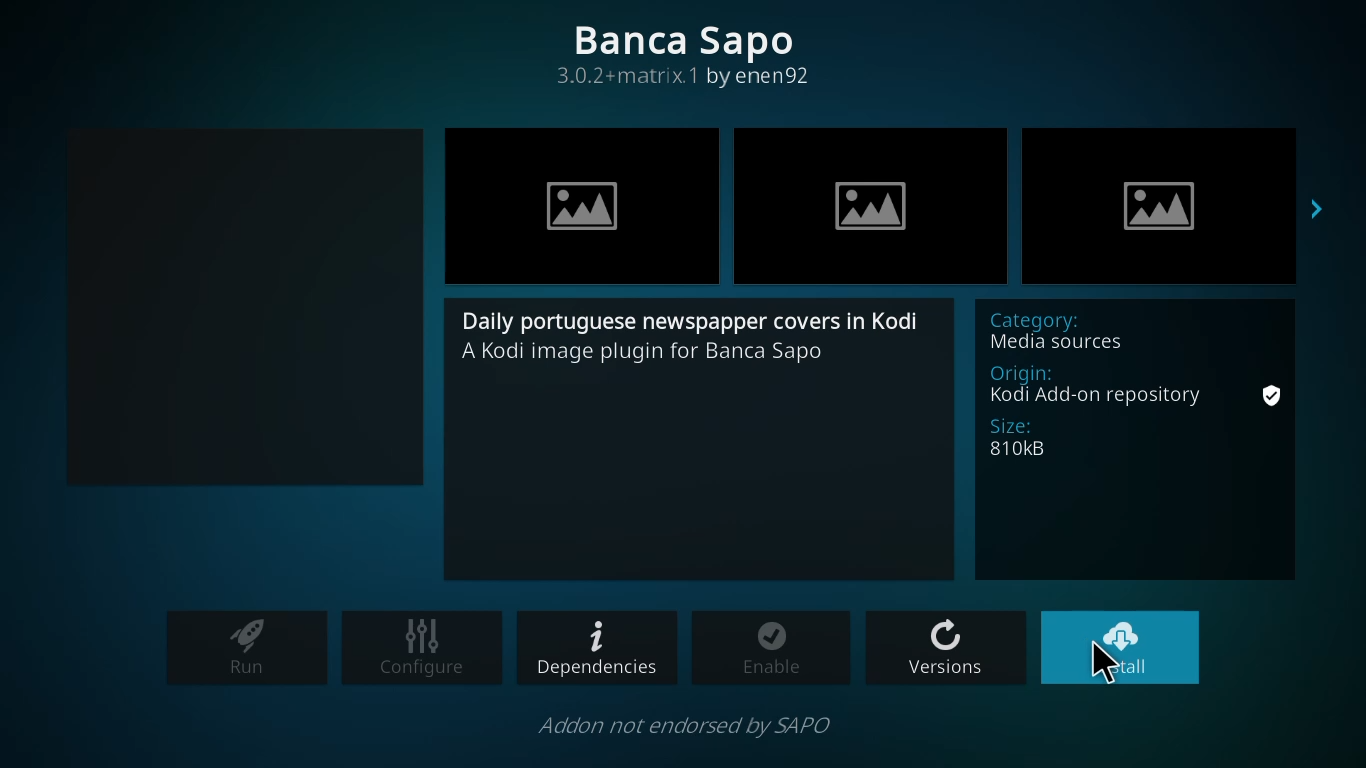 The image size is (1366, 768). What do you see at coordinates (581, 206) in the screenshot?
I see `image` at bounding box center [581, 206].